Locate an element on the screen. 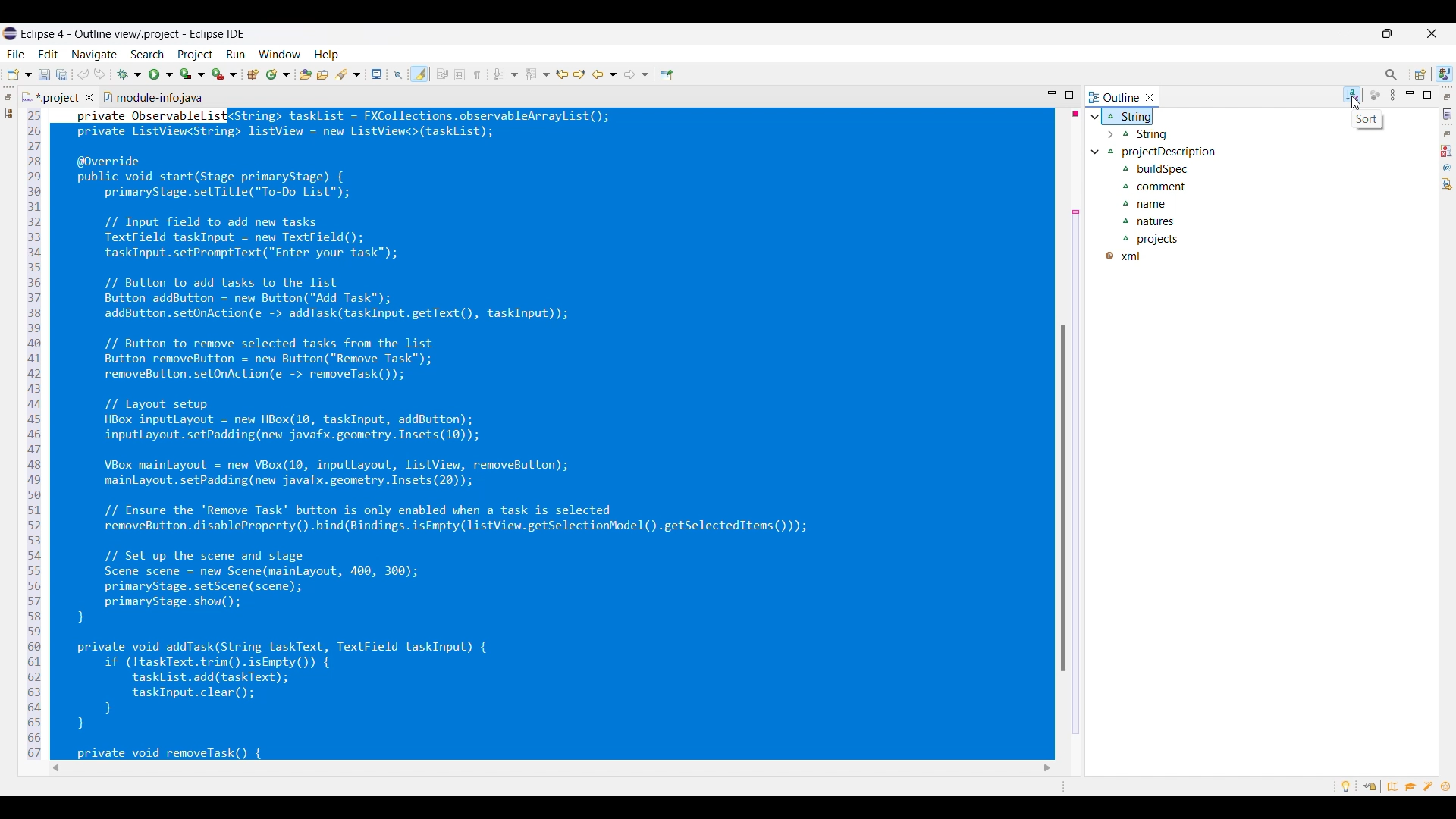 The width and height of the screenshot is (1456, 819). Previous edit location is located at coordinates (562, 74).